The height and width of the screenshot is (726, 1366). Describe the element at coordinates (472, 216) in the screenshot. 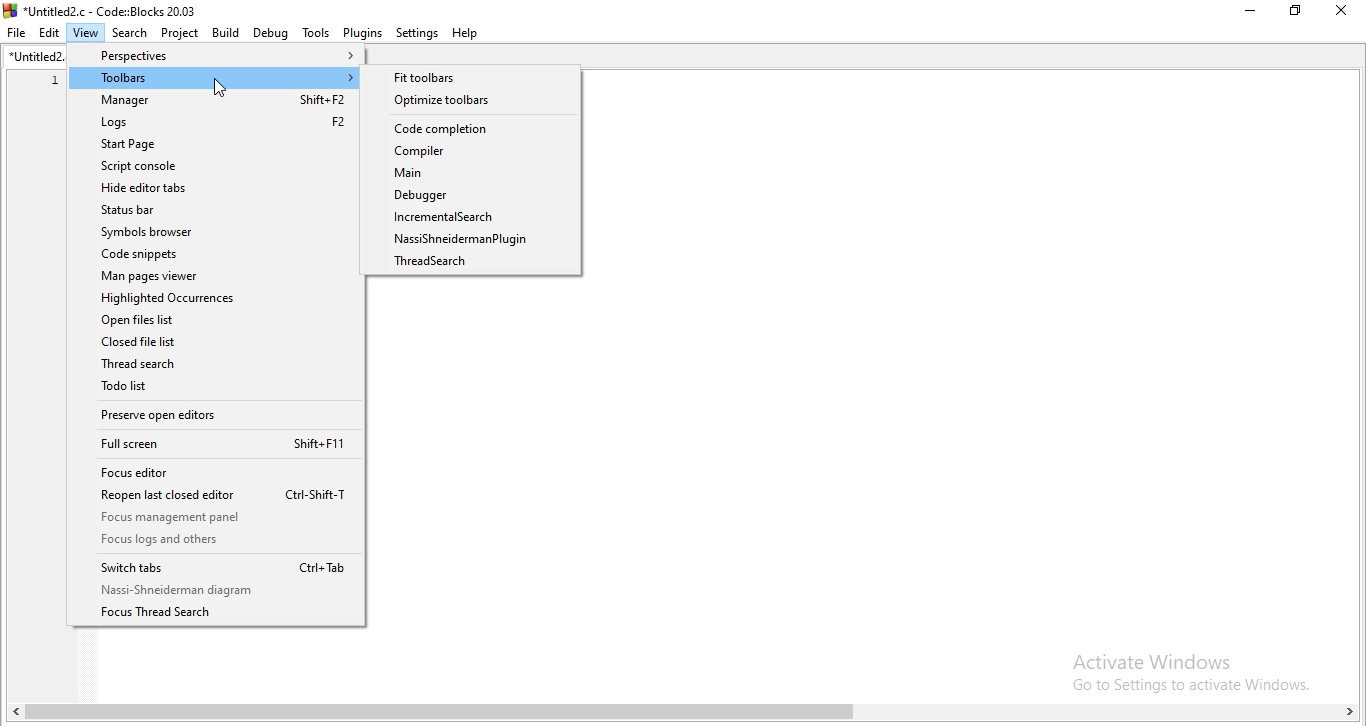

I see `IncrementalSearch` at that location.